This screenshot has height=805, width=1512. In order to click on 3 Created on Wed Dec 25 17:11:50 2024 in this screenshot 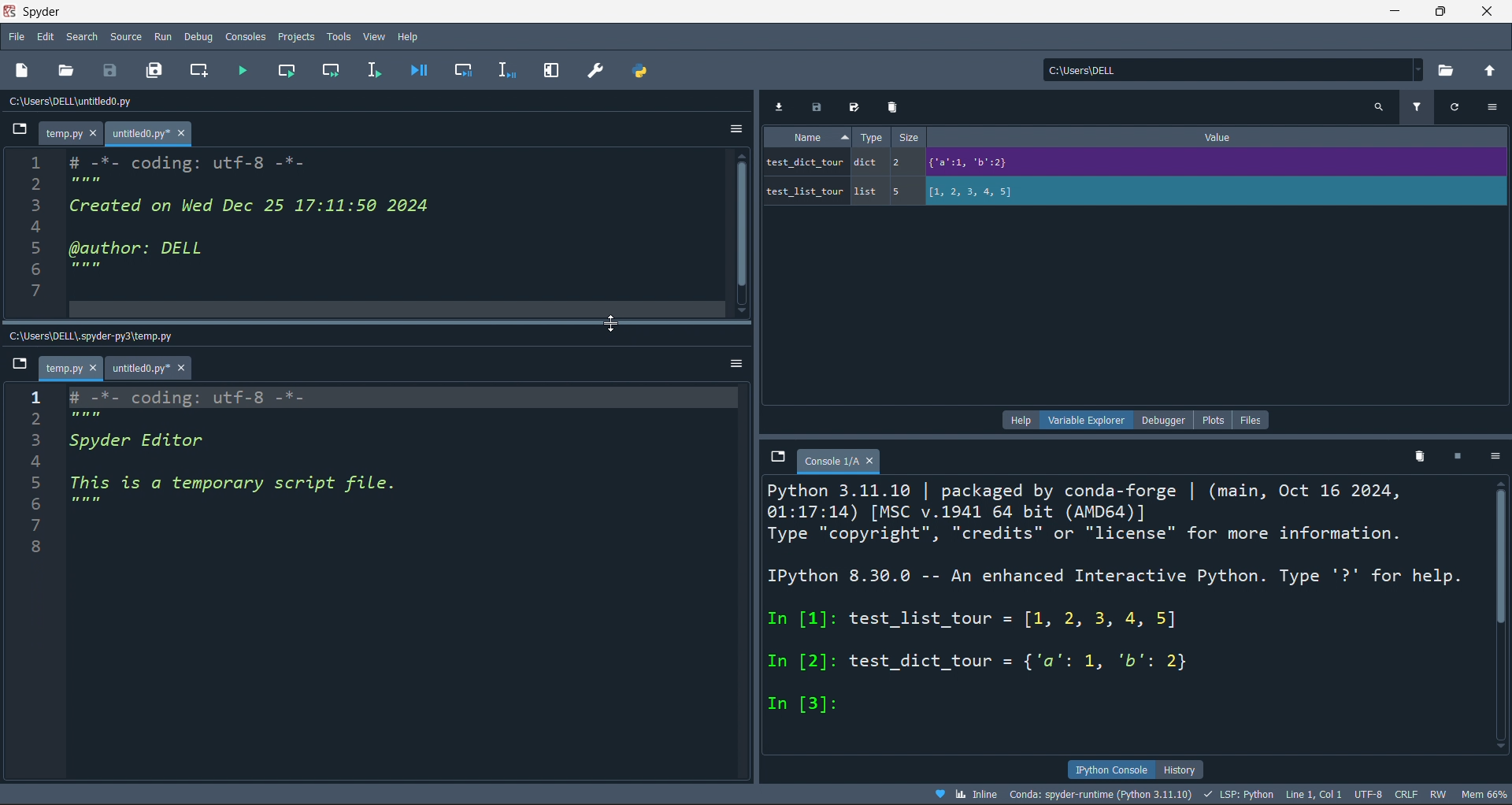, I will do `click(240, 206)`.